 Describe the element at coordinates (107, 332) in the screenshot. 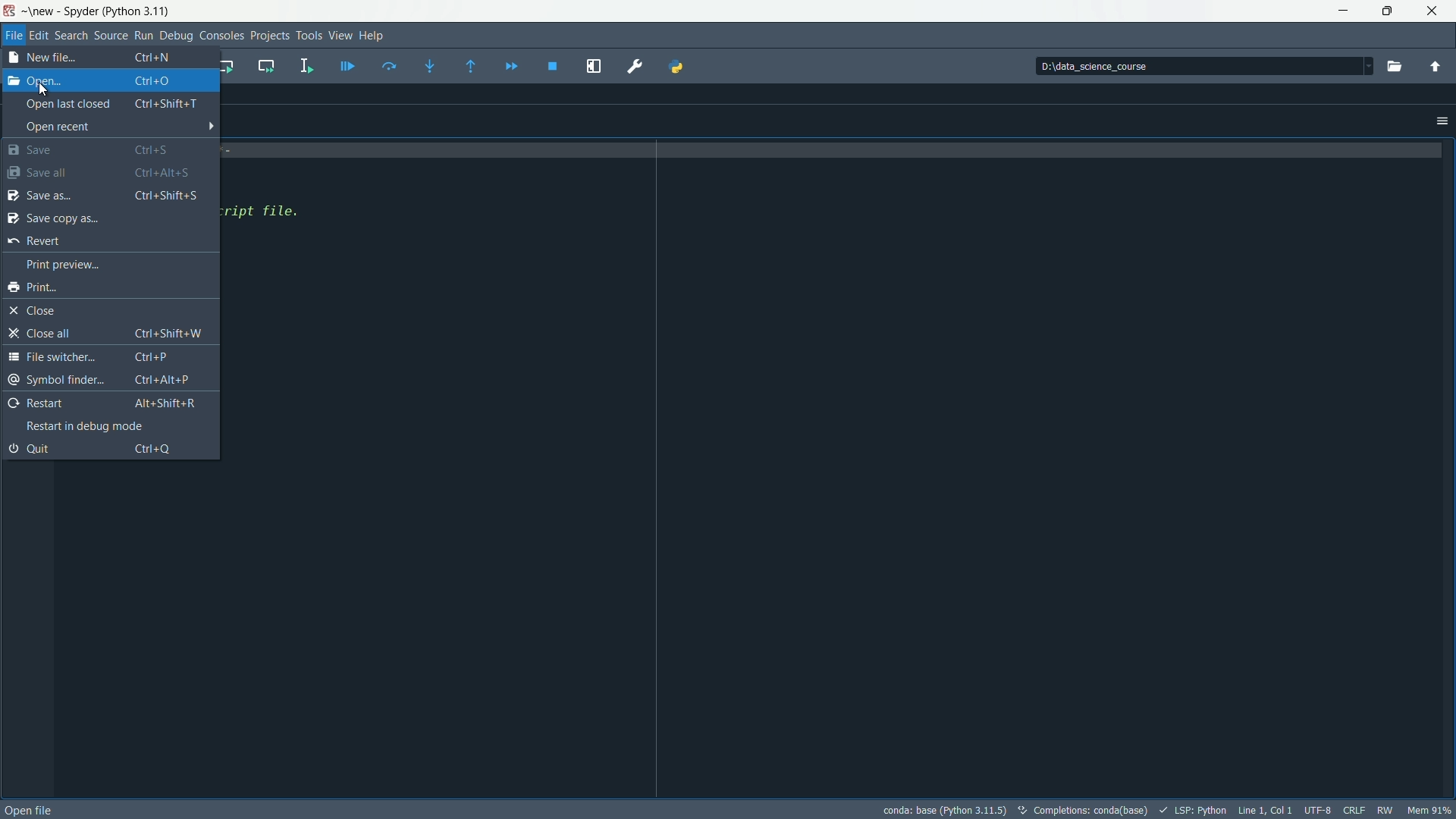

I see `close all` at that location.